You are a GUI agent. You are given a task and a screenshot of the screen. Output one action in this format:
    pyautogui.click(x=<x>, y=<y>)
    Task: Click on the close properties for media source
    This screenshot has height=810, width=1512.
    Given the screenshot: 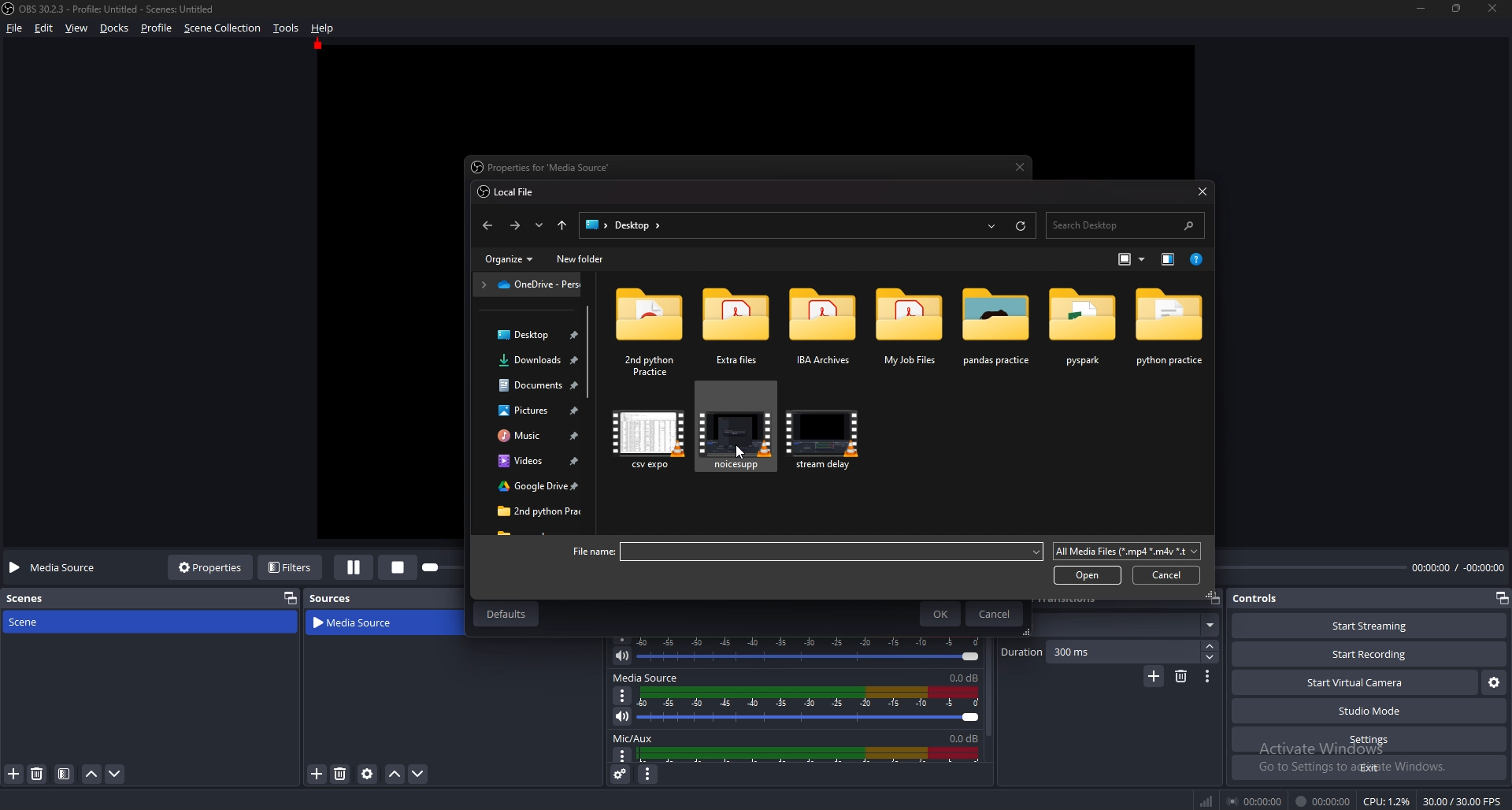 What is the action you would take?
    pyautogui.click(x=1021, y=167)
    